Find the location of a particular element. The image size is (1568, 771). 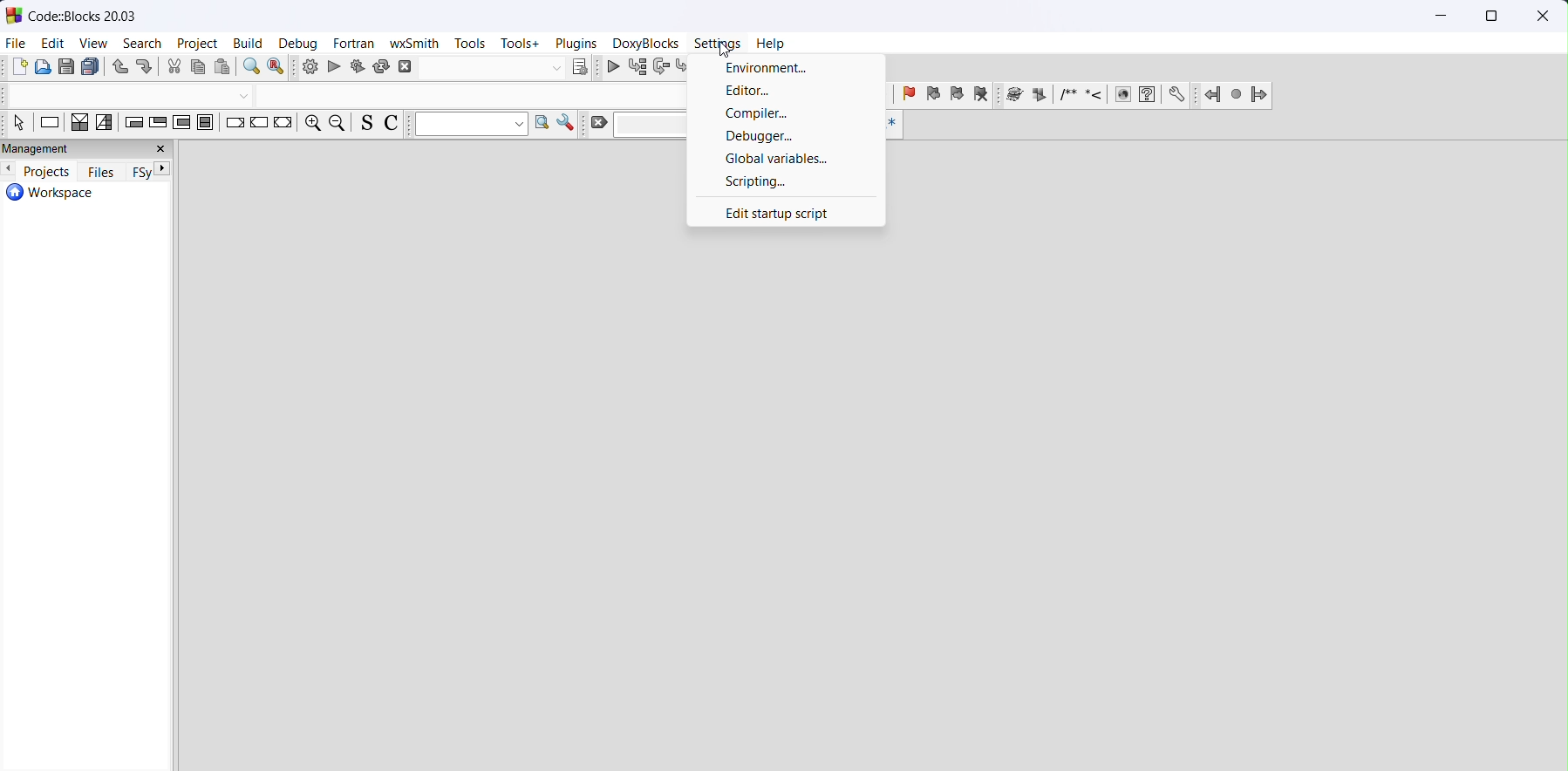

global variables is located at coordinates (786, 159).